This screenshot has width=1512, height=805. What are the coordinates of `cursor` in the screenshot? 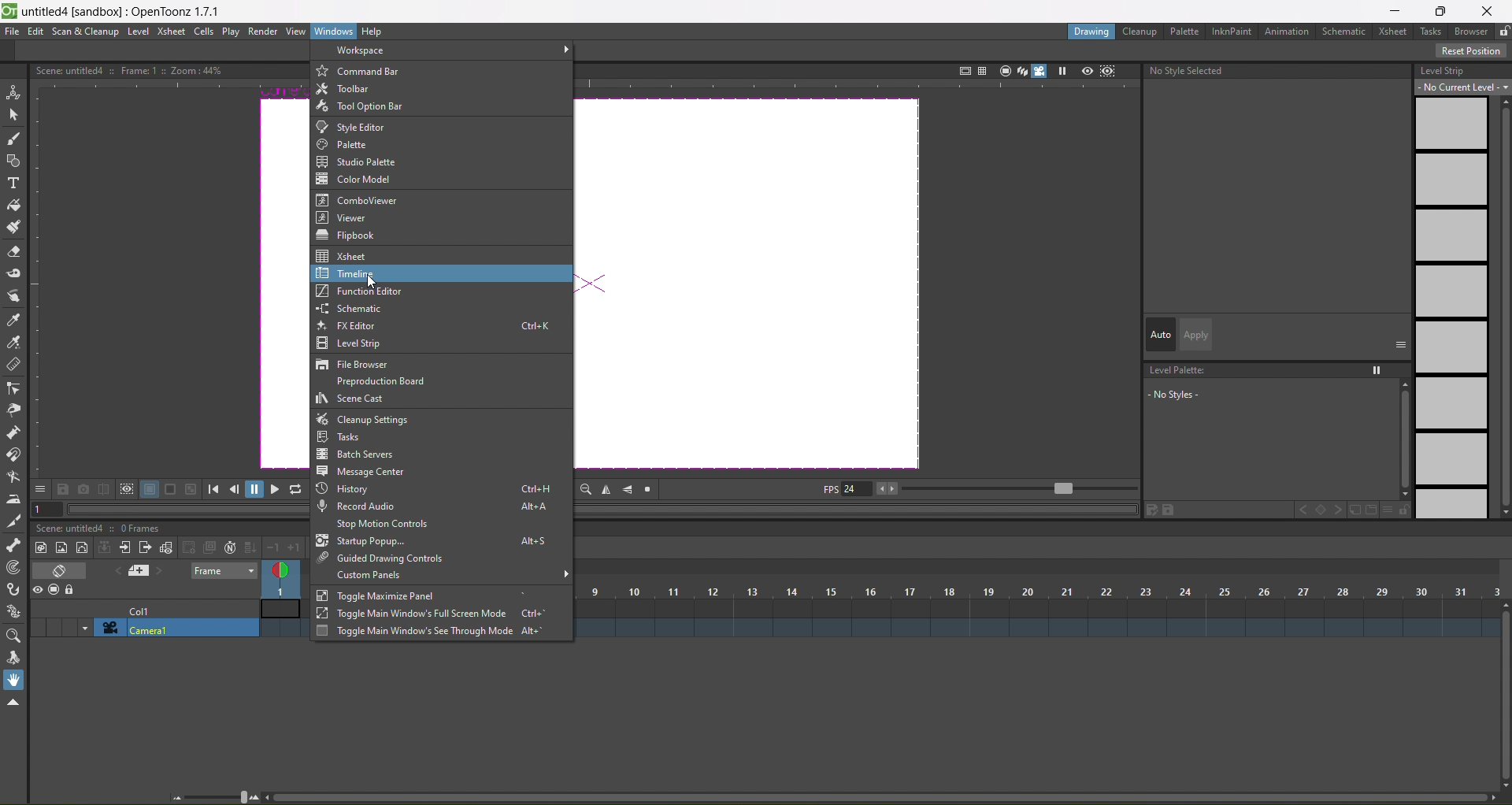 It's located at (374, 281).